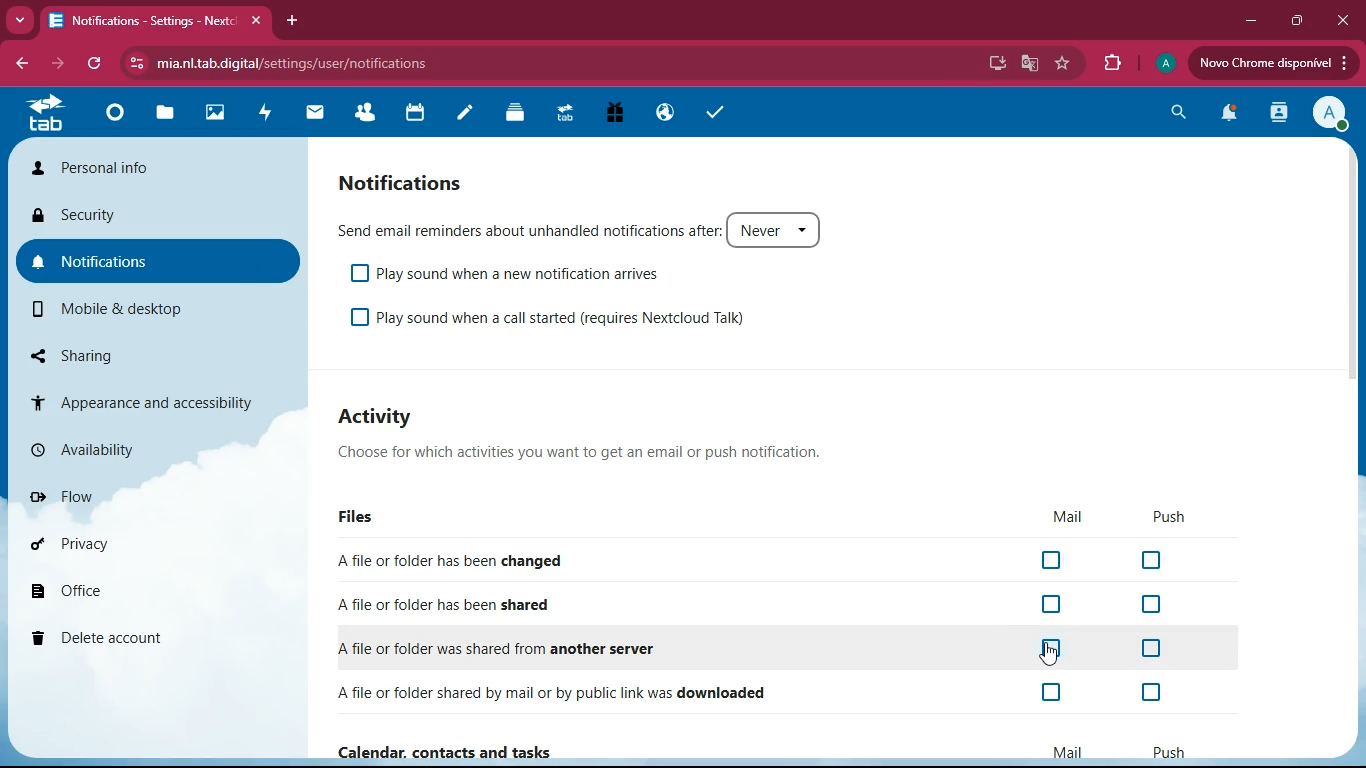  I want to click on description, so click(604, 453).